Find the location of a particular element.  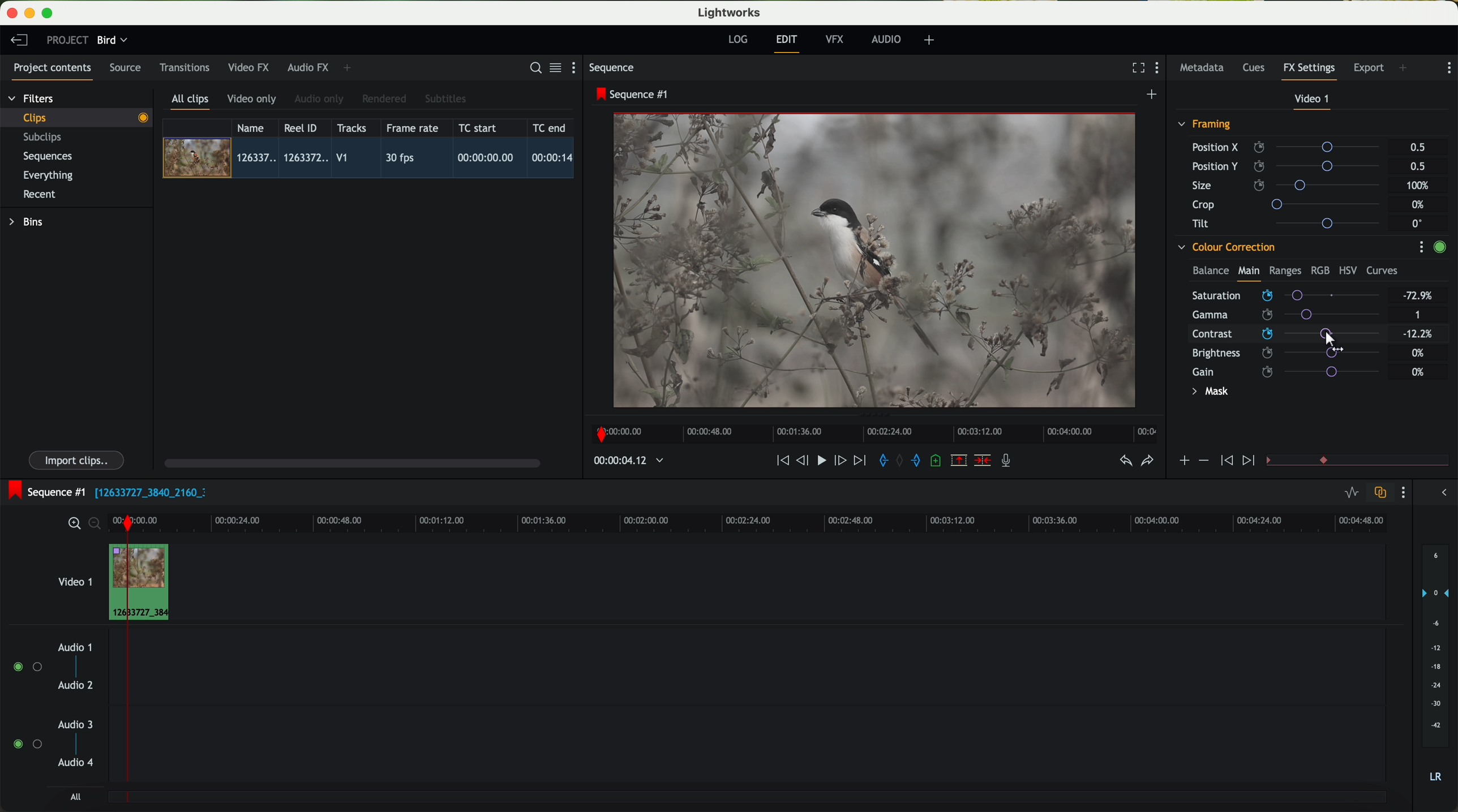

rewind is located at coordinates (782, 461).